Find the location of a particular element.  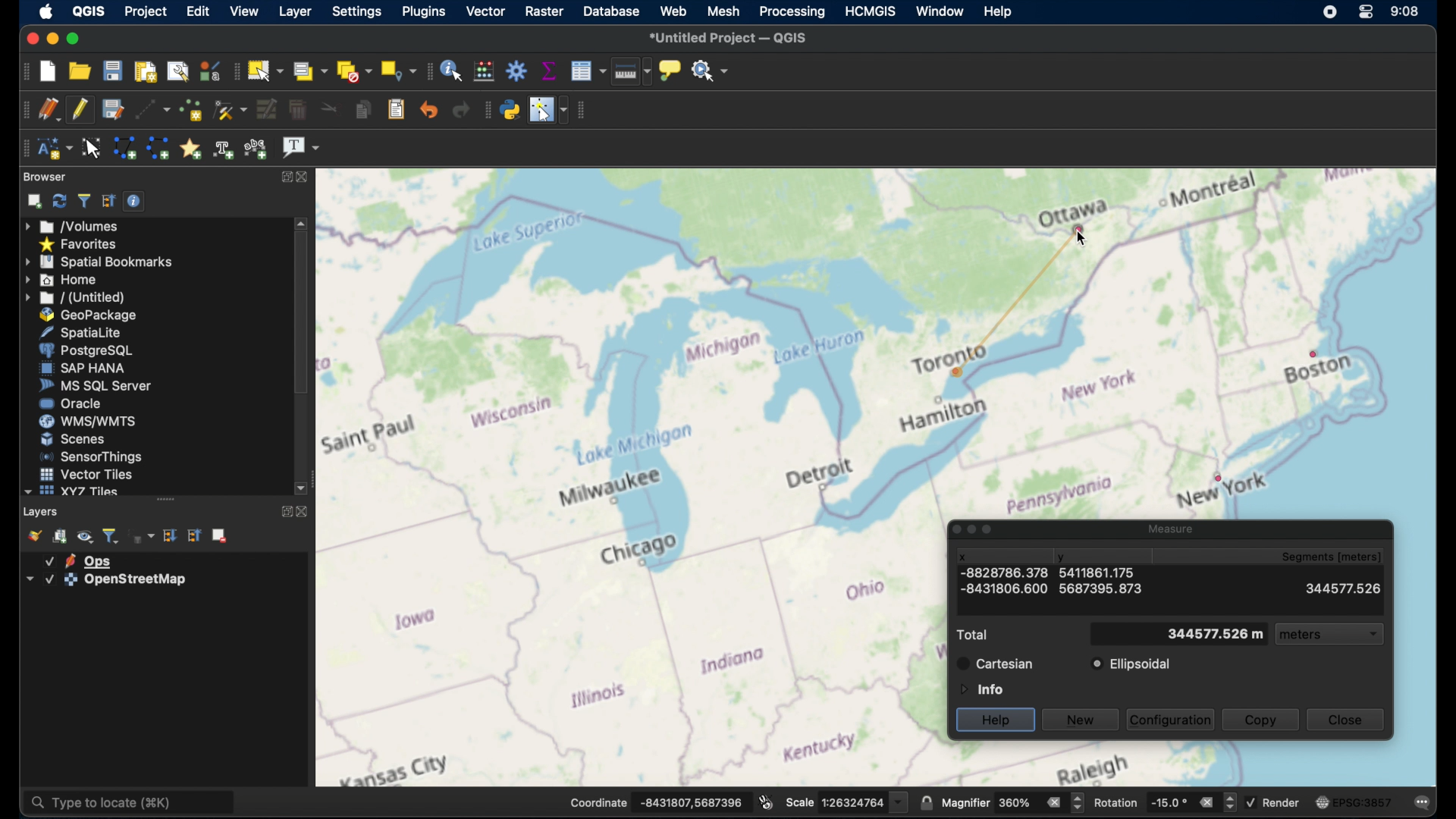

measure is located at coordinates (1168, 527).